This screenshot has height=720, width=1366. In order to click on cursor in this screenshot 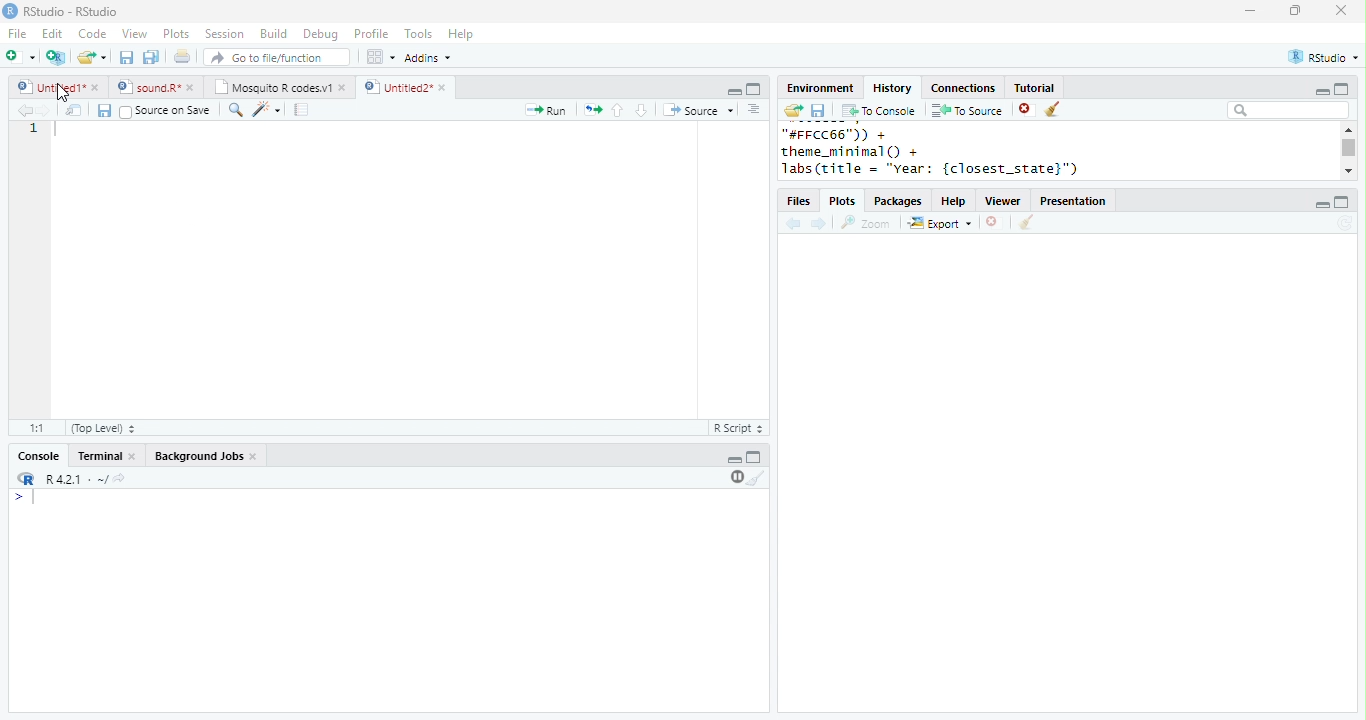, I will do `click(63, 93)`.